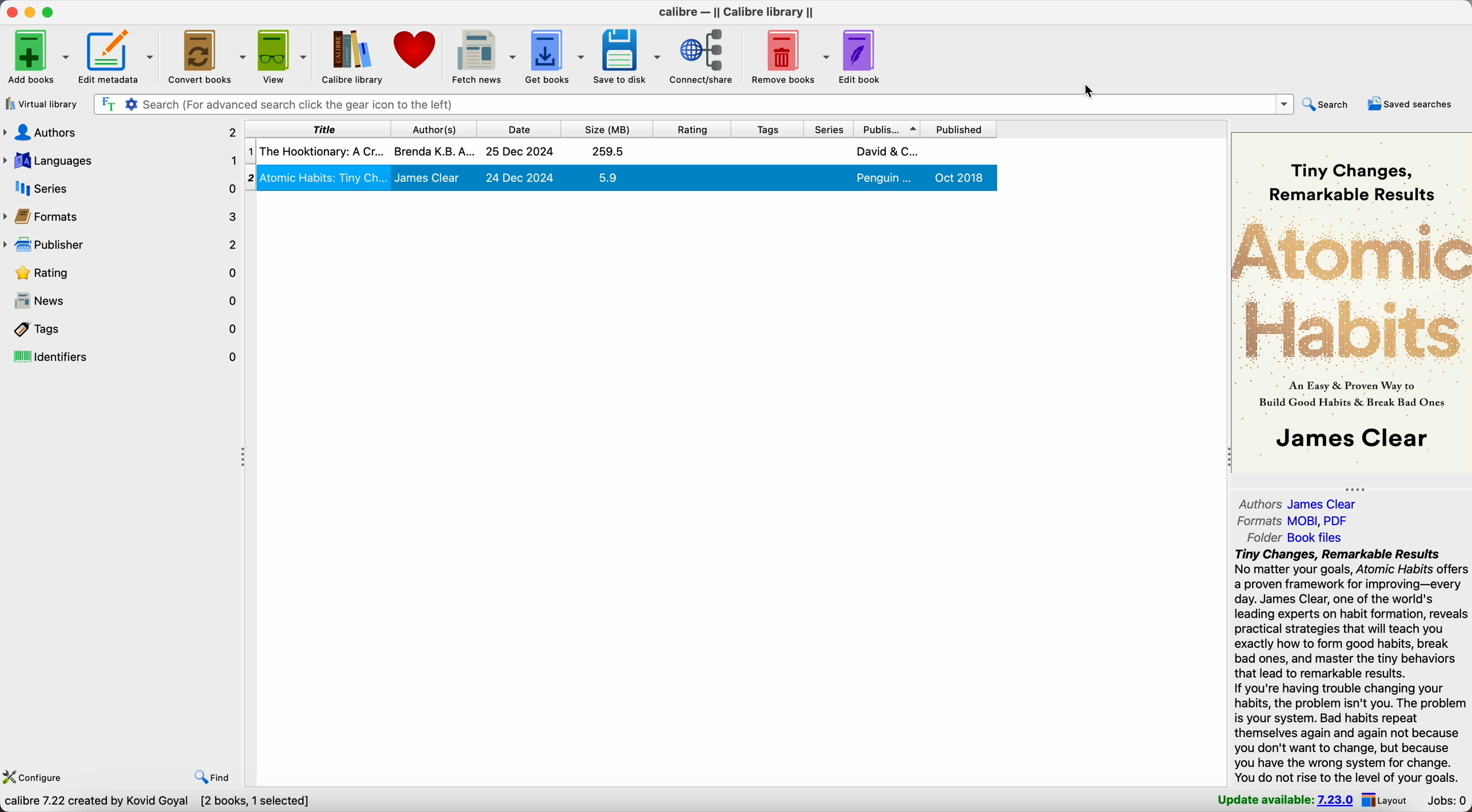 The width and height of the screenshot is (1472, 812). Describe the element at coordinates (1330, 105) in the screenshot. I see `search` at that location.